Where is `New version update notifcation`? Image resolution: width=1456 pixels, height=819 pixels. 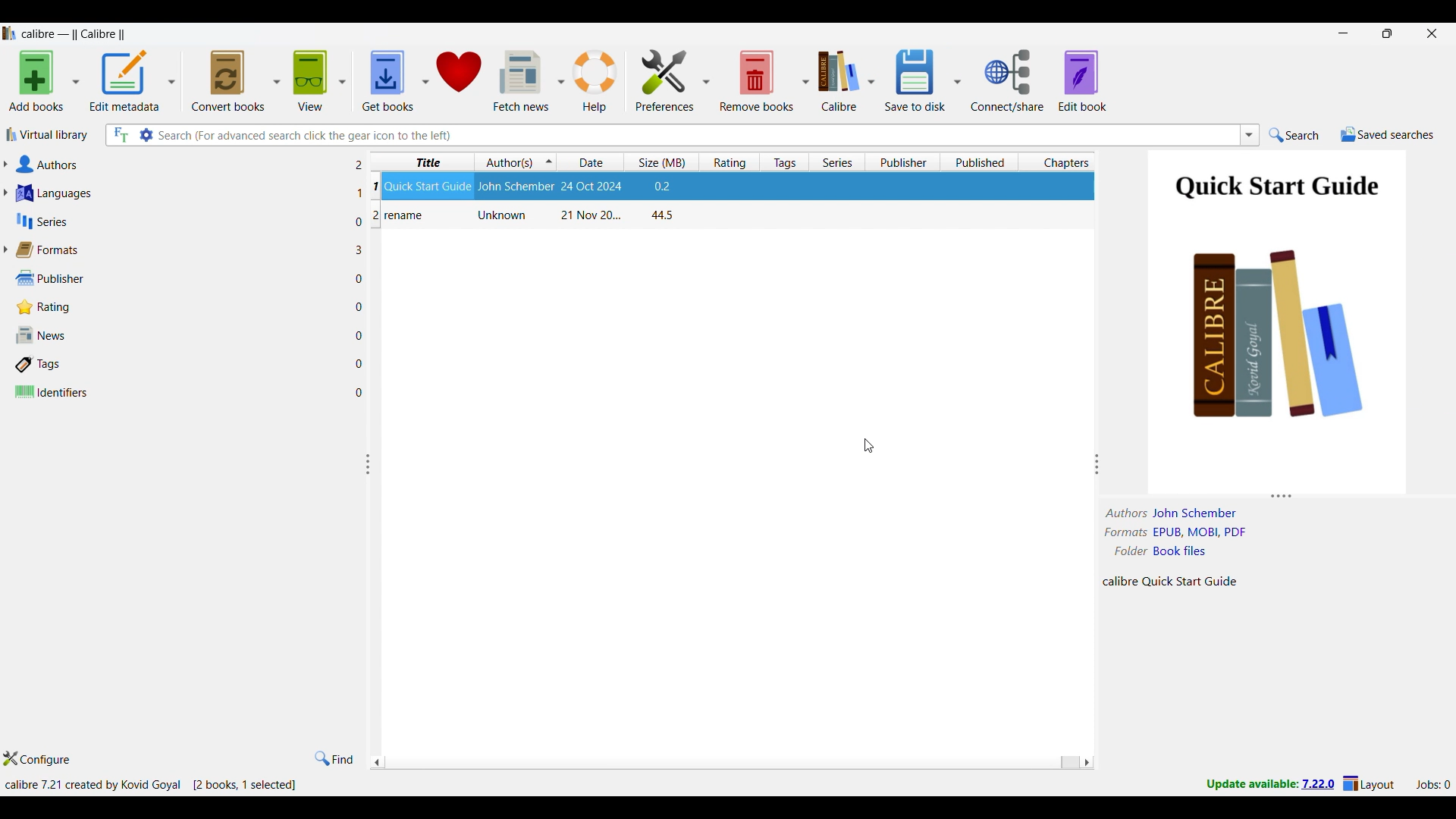
New version update notifcation is located at coordinates (1270, 783).